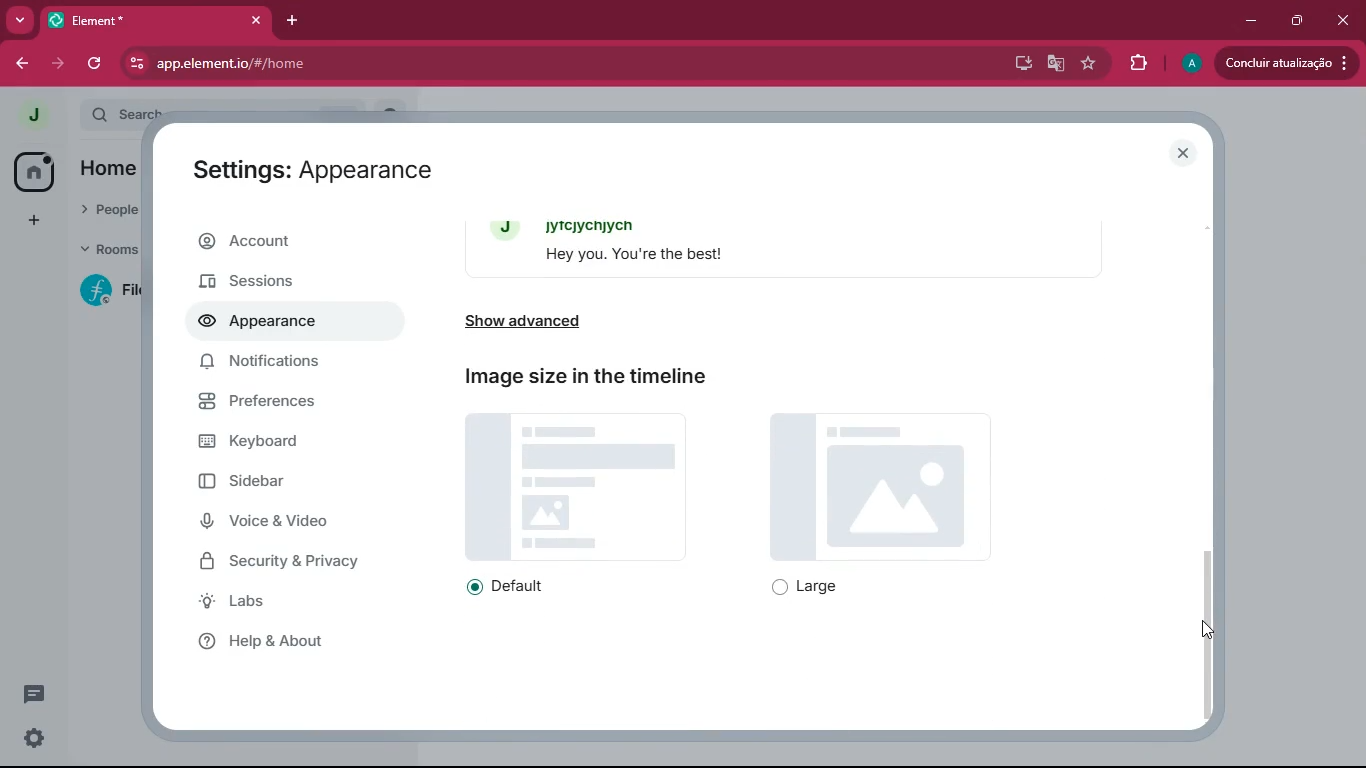 This screenshot has height=768, width=1366. Describe the element at coordinates (61, 64) in the screenshot. I see `forward` at that location.